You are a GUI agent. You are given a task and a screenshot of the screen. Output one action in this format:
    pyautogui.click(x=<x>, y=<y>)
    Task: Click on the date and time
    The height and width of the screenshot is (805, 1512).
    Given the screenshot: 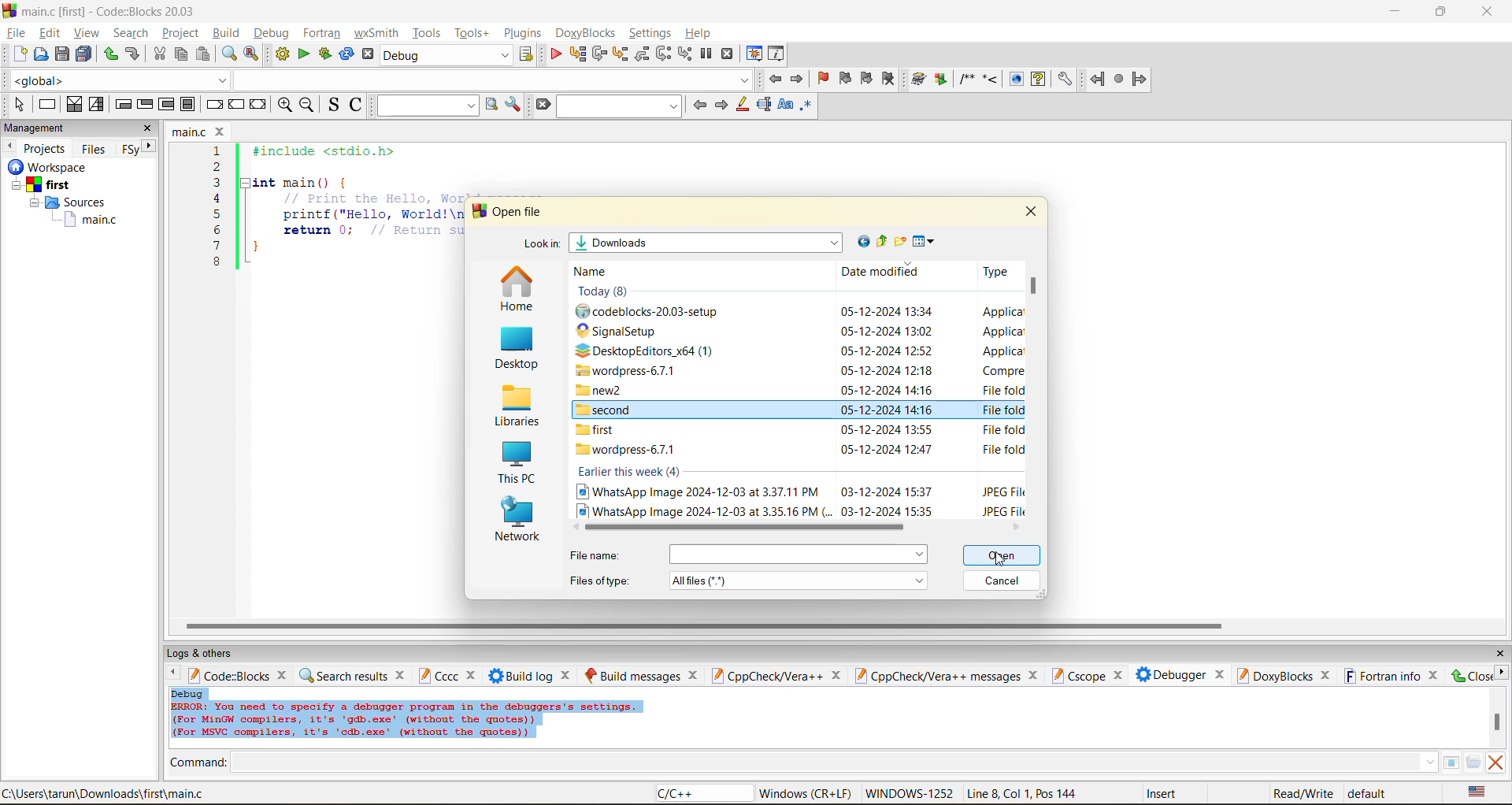 What is the action you would take?
    pyautogui.click(x=891, y=510)
    